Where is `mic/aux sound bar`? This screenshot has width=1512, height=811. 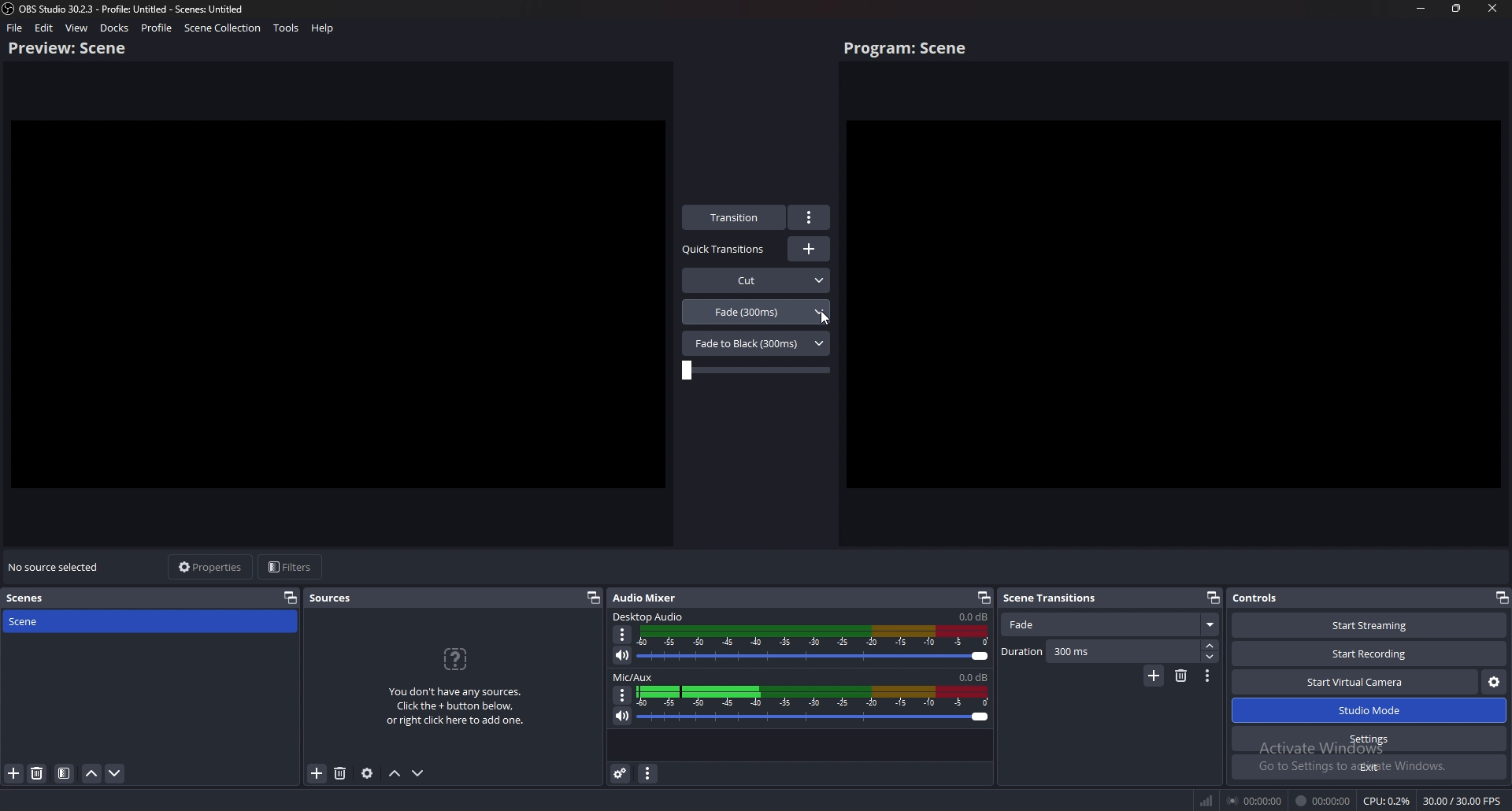 mic/aux sound bar is located at coordinates (814, 706).